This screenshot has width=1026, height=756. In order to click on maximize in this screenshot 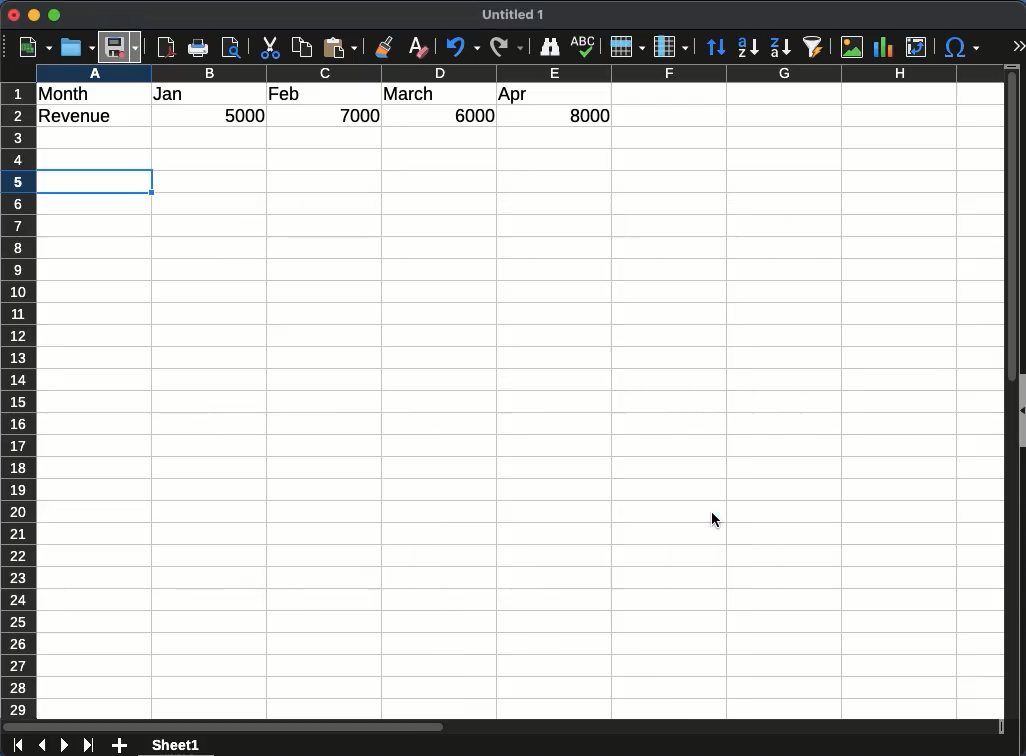, I will do `click(56, 15)`.